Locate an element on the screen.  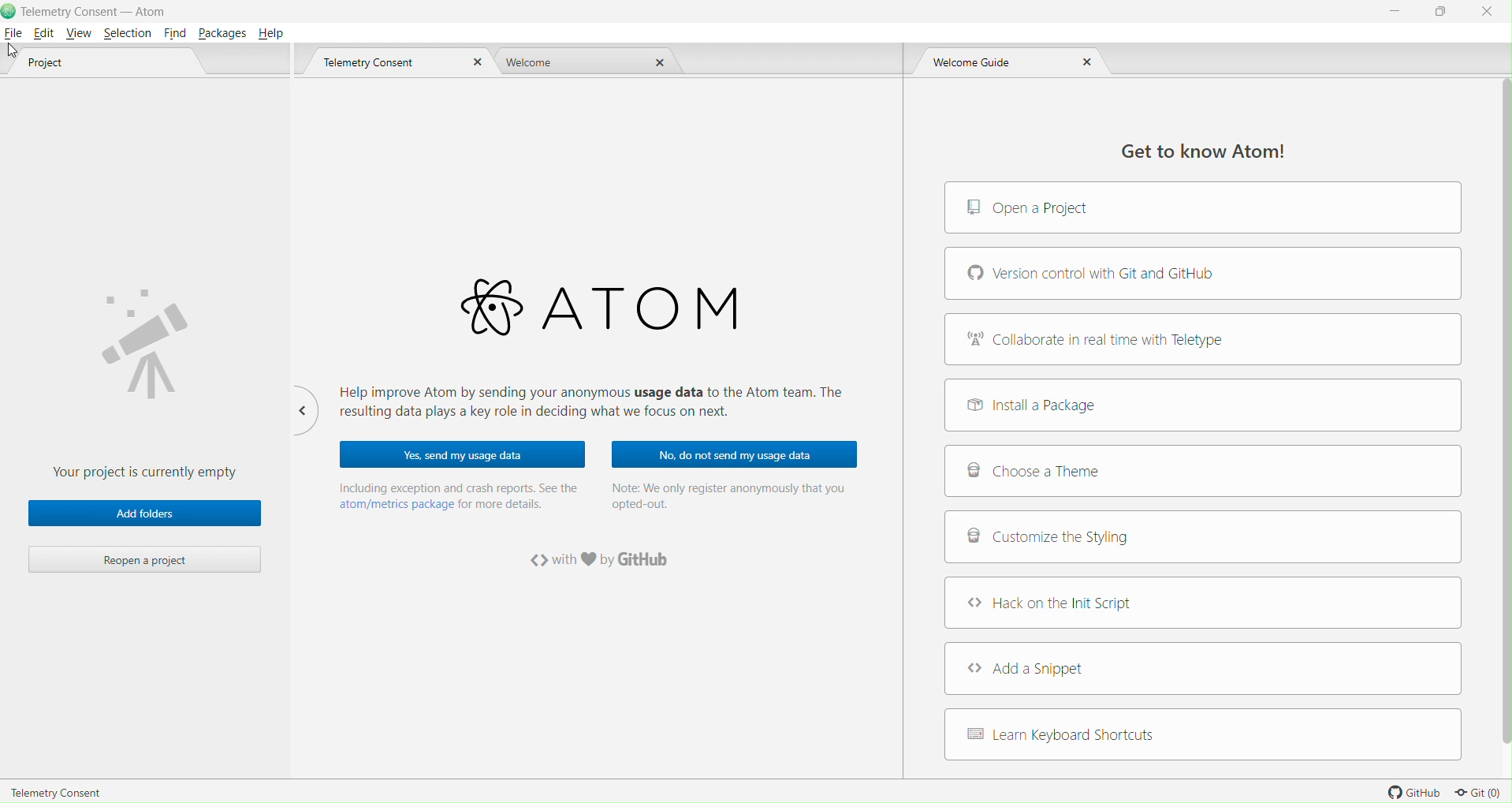
Edit is located at coordinates (43, 34).